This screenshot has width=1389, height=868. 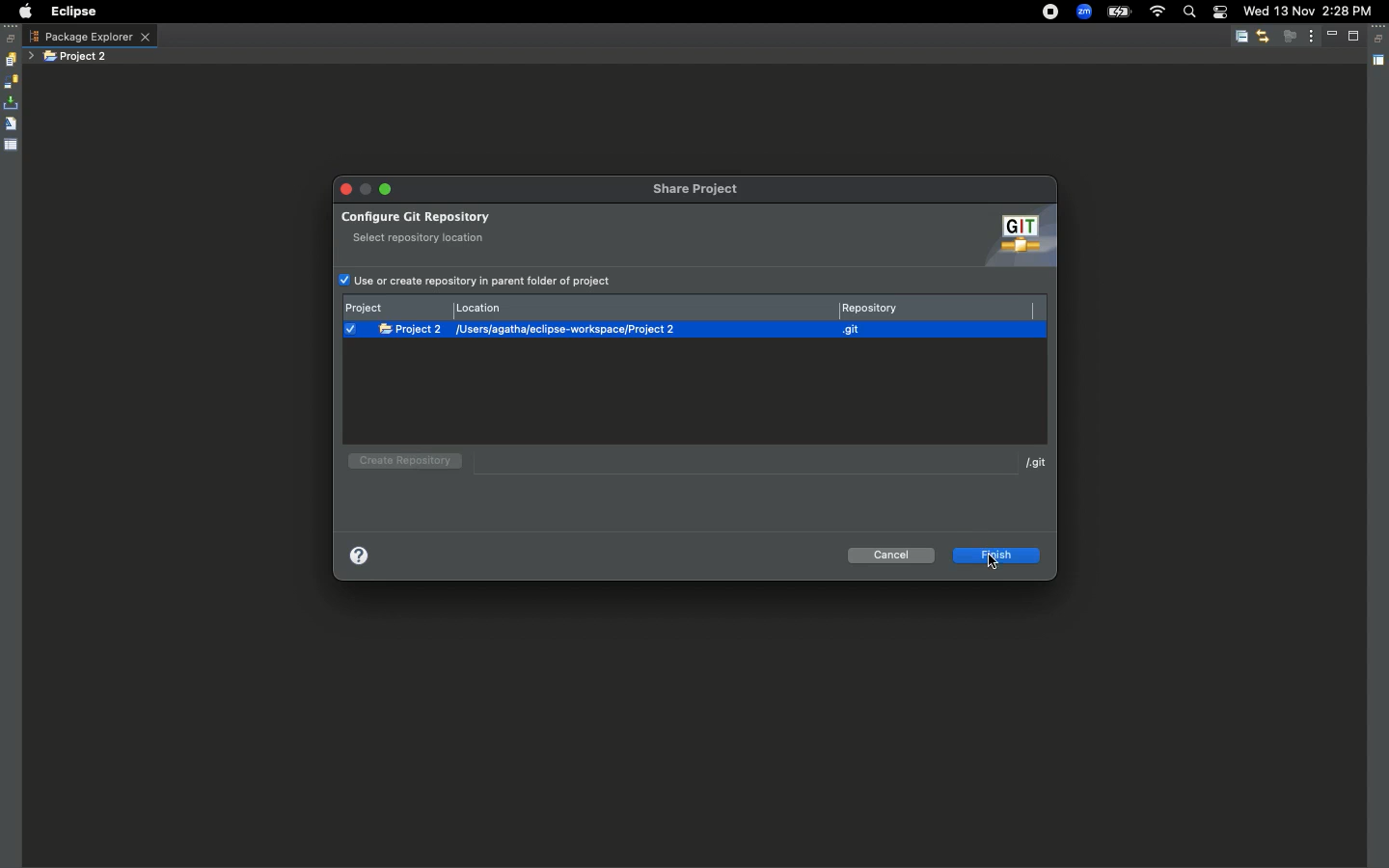 What do you see at coordinates (10, 60) in the screenshot?
I see `History` at bounding box center [10, 60].